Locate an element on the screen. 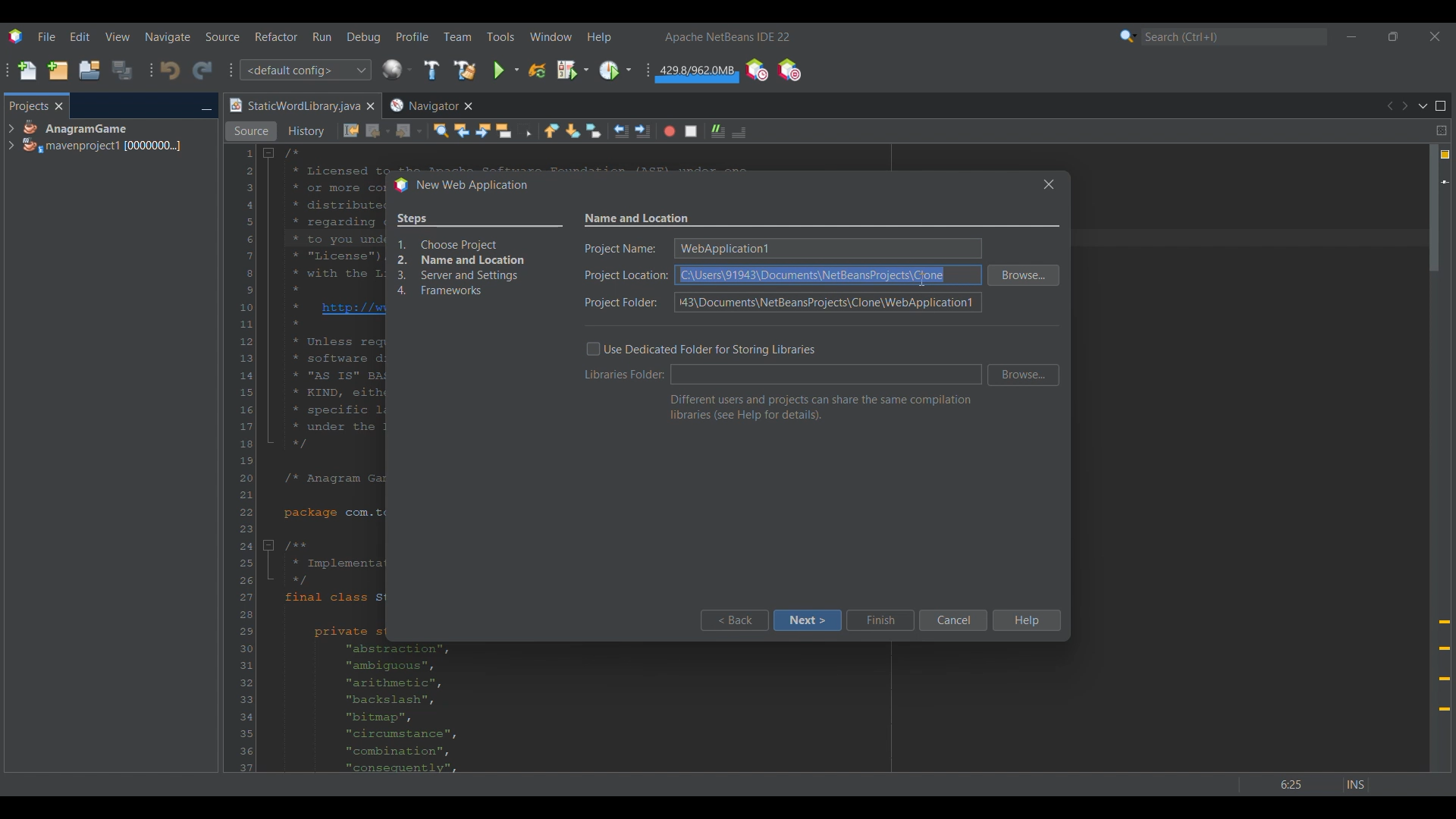  Add @override annotation is located at coordinates (1445, 666).